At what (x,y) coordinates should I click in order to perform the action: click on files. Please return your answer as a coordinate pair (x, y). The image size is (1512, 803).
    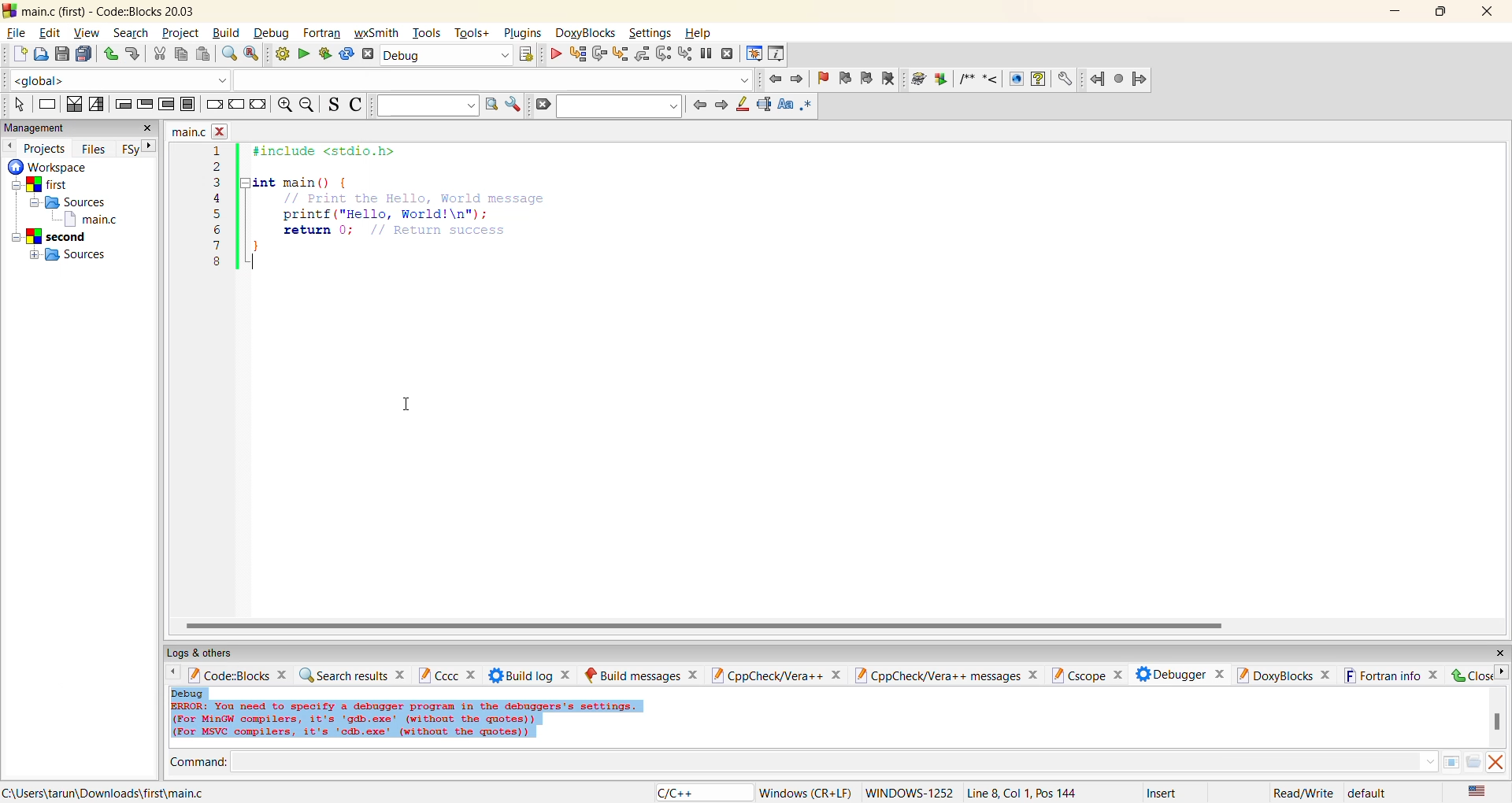
    Looking at the image, I should click on (93, 147).